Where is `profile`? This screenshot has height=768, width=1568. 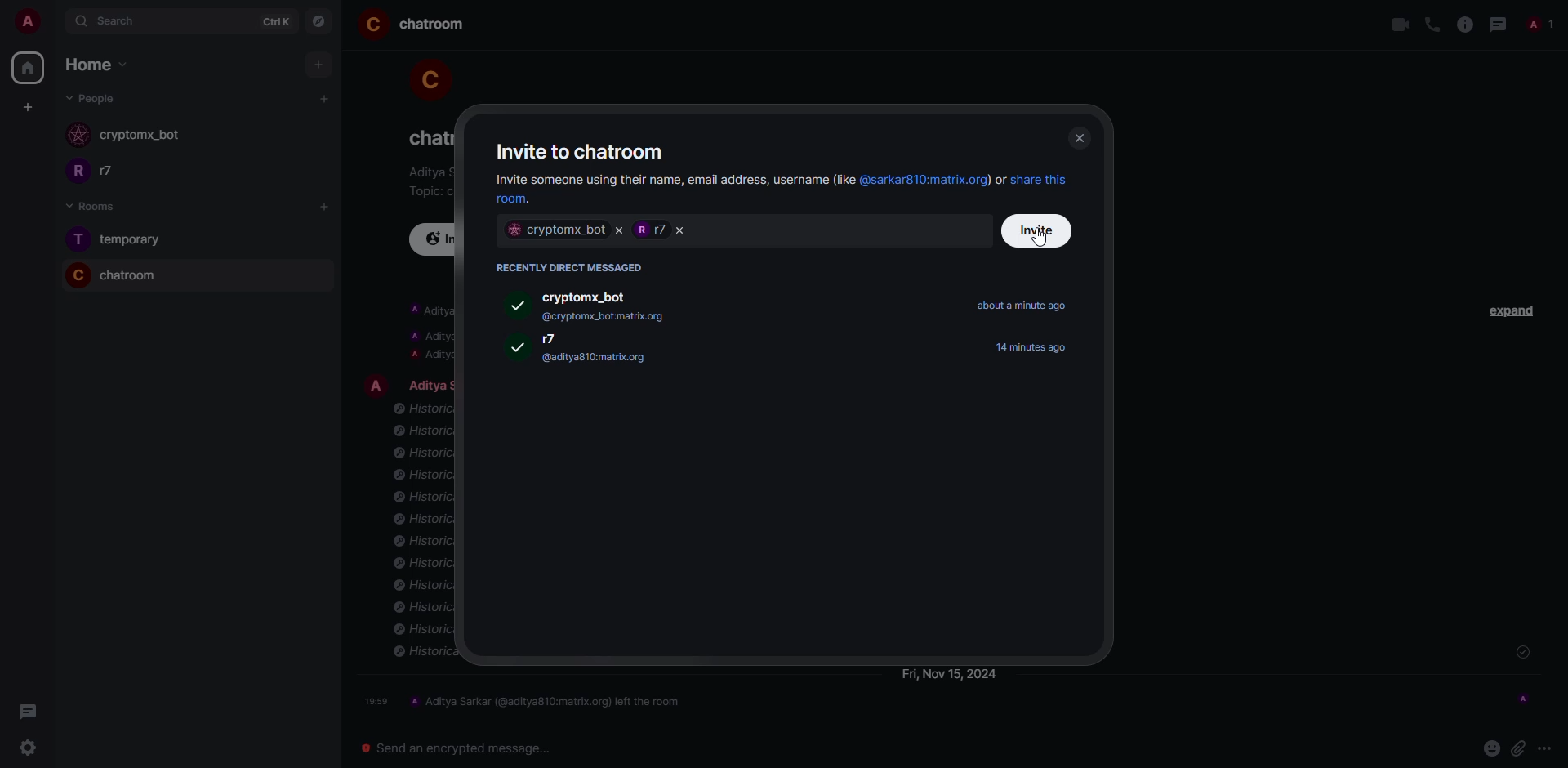 profile is located at coordinates (77, 239).